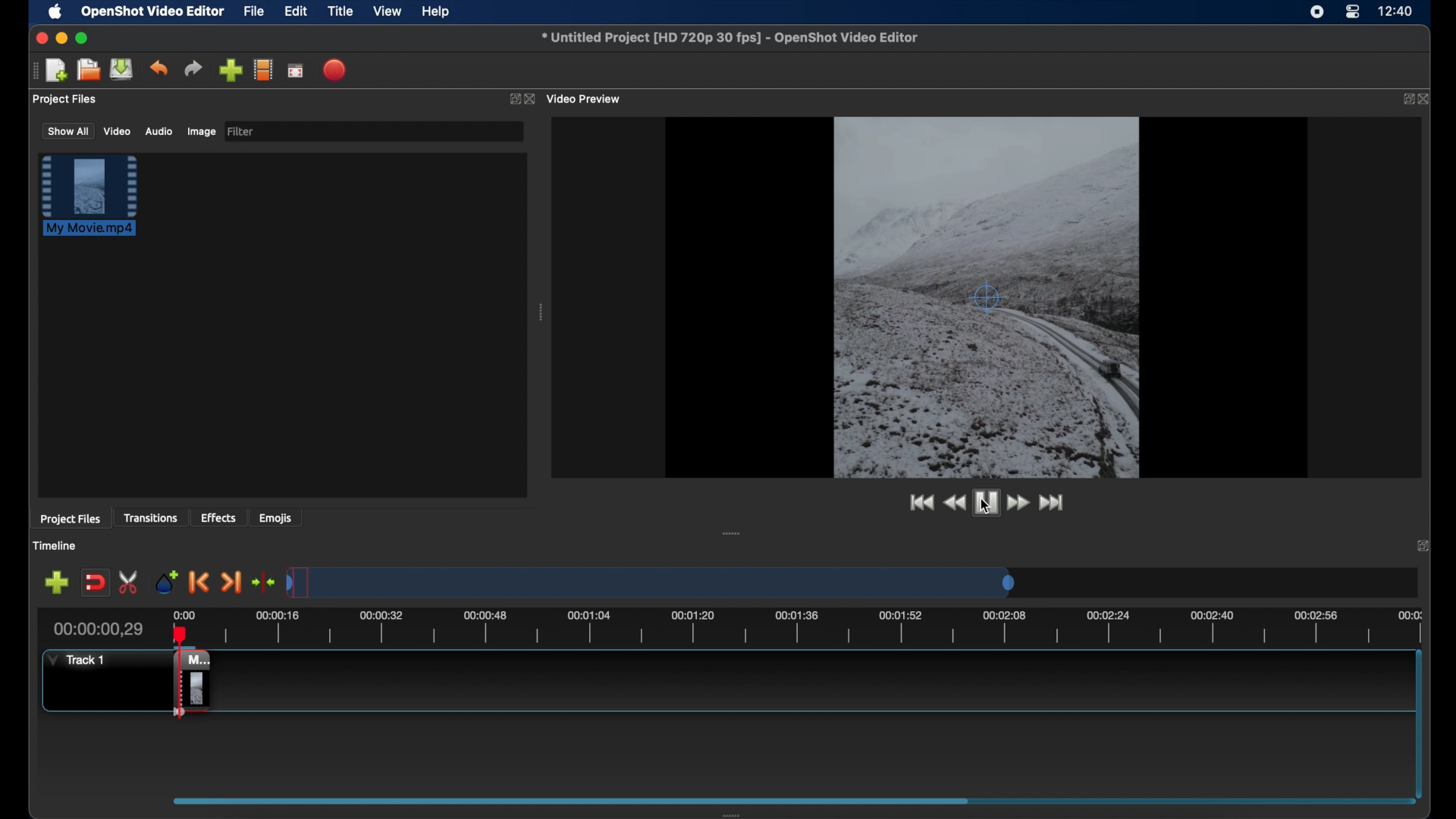 The image size is (1456, 819). What do you see at coordinates (541, 314) in the screenshot?
I see `drag handle` at bounding box center [541, 314].